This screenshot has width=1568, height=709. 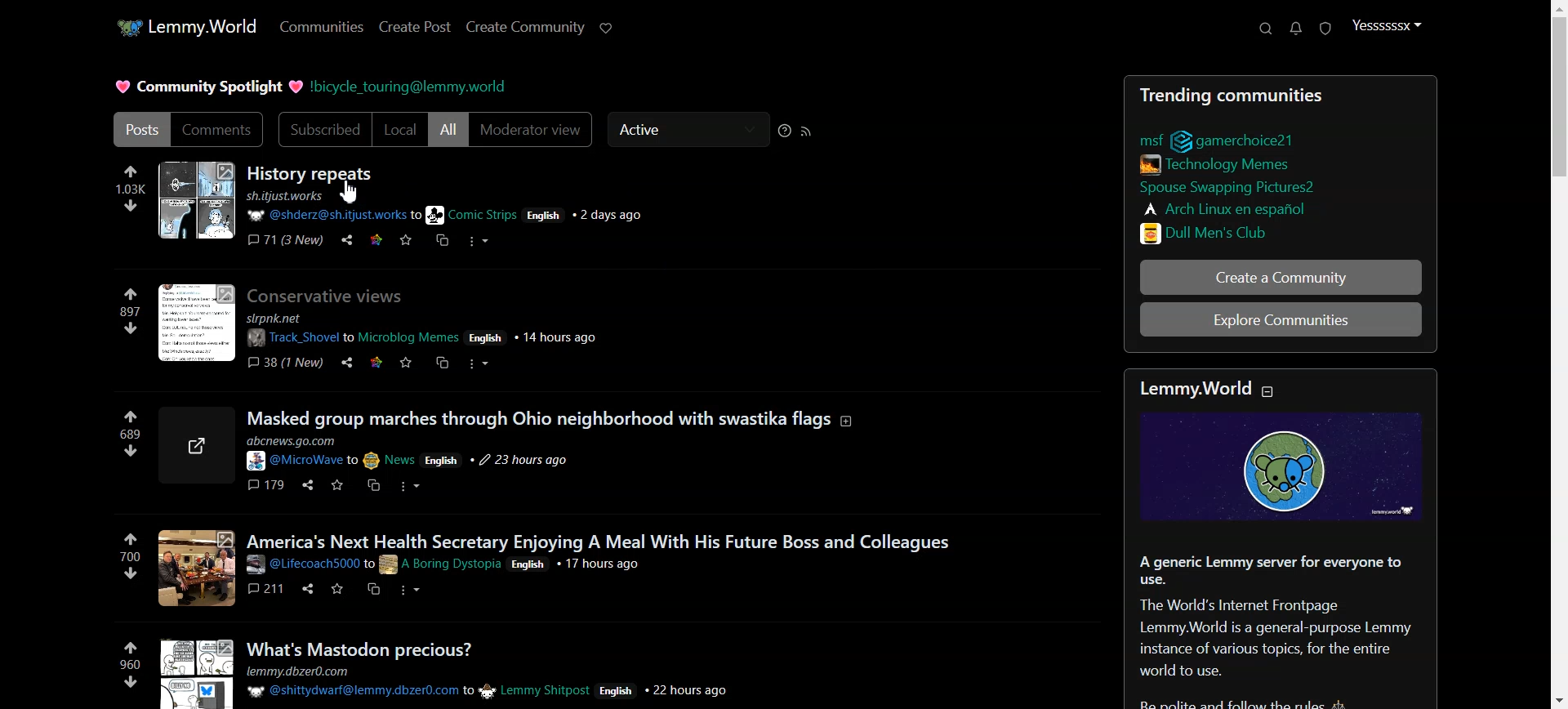 I want to click on 897, so click(x=125, y=314).